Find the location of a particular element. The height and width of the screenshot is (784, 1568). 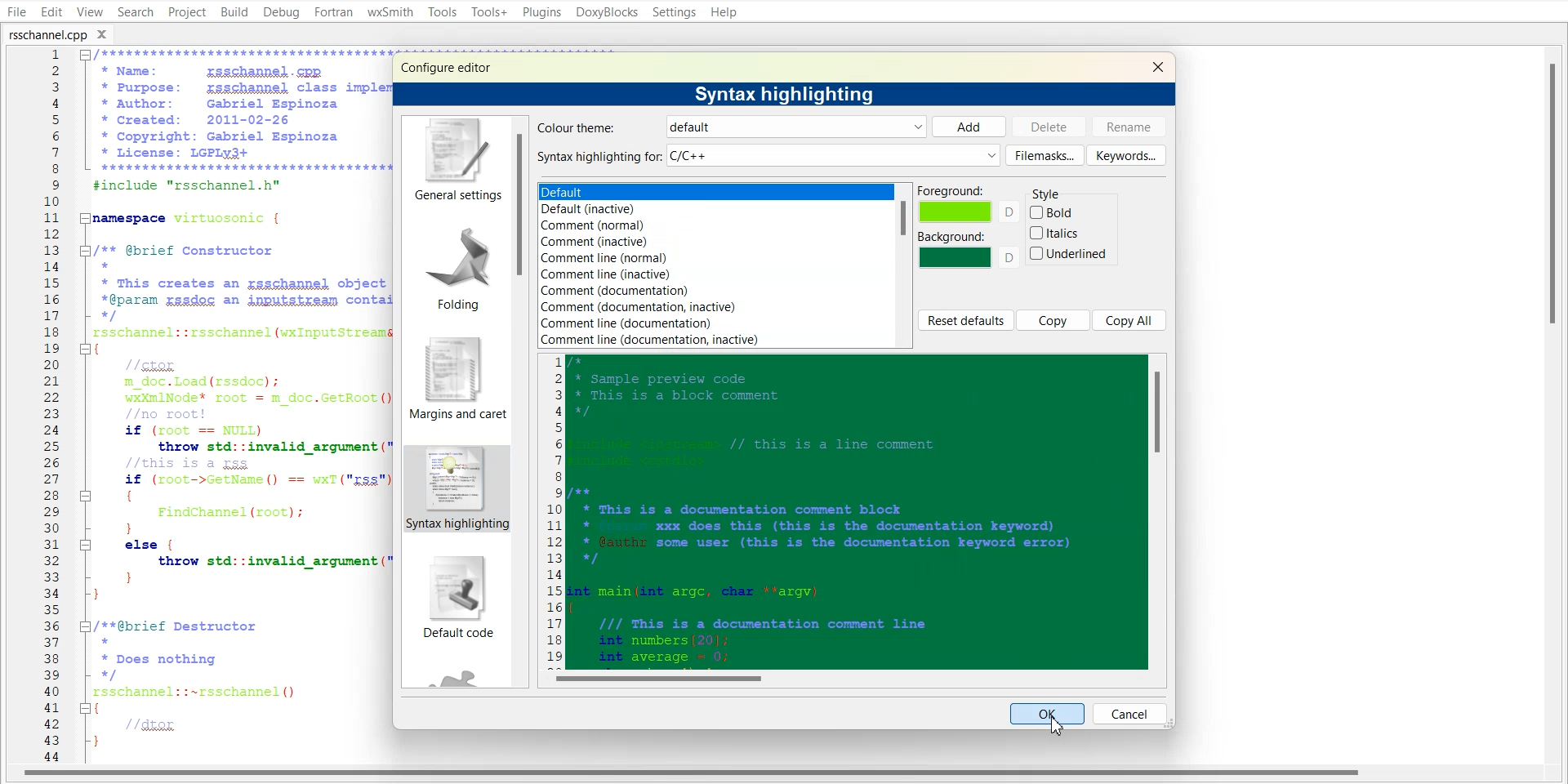

wxSmith is located at coordinates (390, 12).